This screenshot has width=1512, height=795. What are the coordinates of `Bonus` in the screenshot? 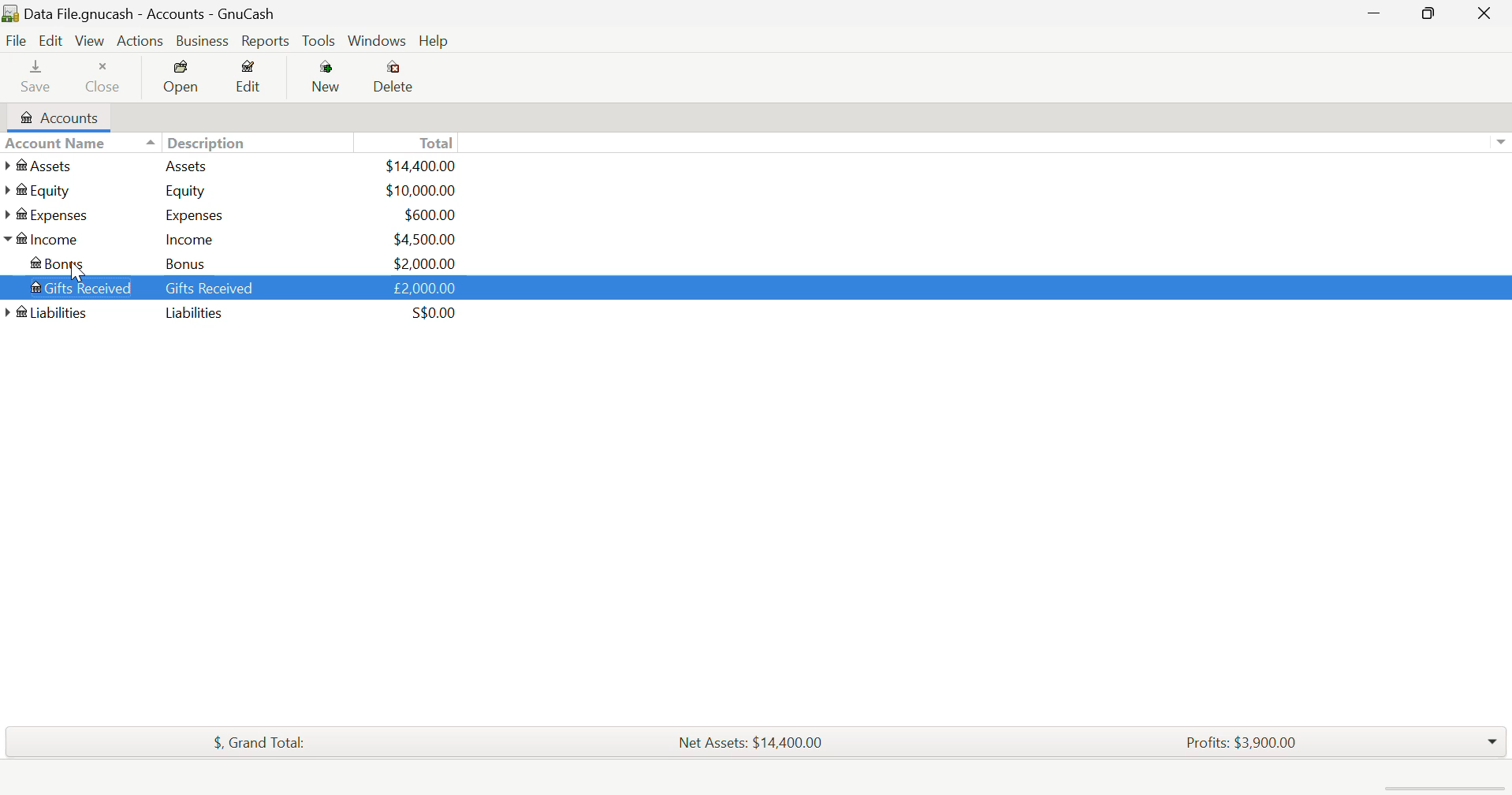 It's located at (194, 264).